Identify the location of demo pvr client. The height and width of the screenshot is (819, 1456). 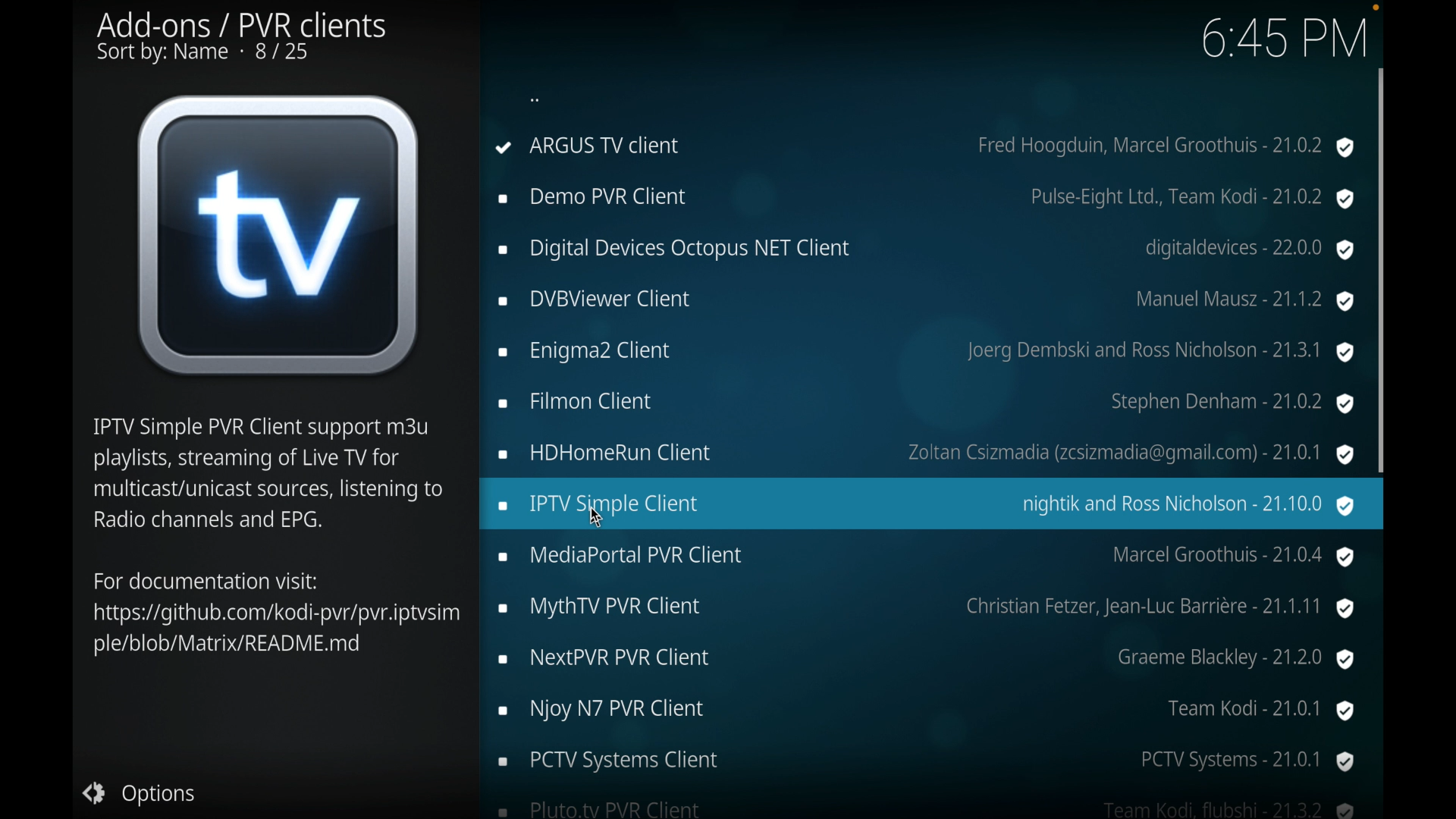
(925, 199).